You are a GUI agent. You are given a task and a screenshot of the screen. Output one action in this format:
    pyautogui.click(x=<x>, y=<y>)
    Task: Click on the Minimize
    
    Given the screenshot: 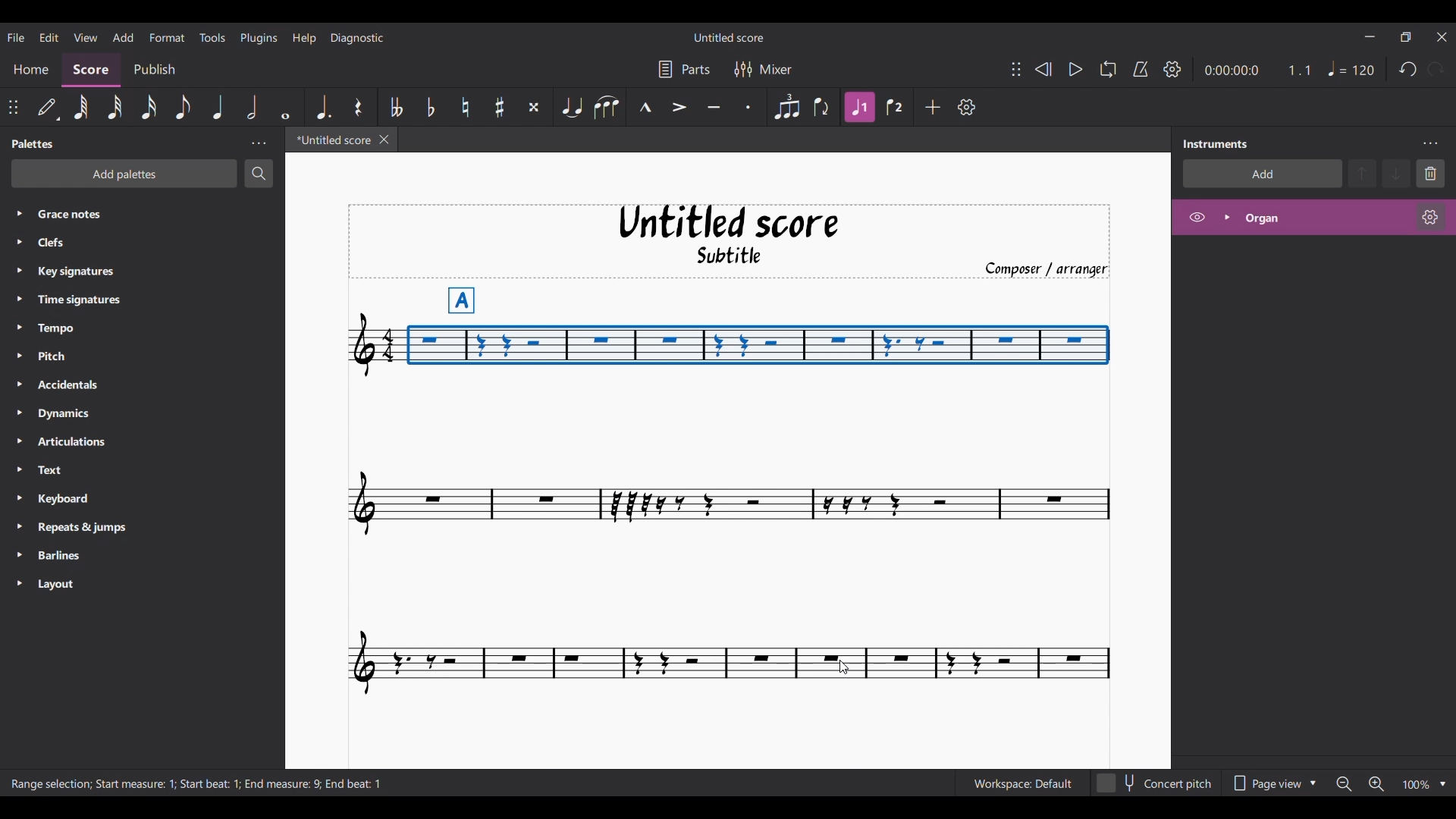 What is the action you would take?
    pyautogui.click(x=1369, y=36)
    